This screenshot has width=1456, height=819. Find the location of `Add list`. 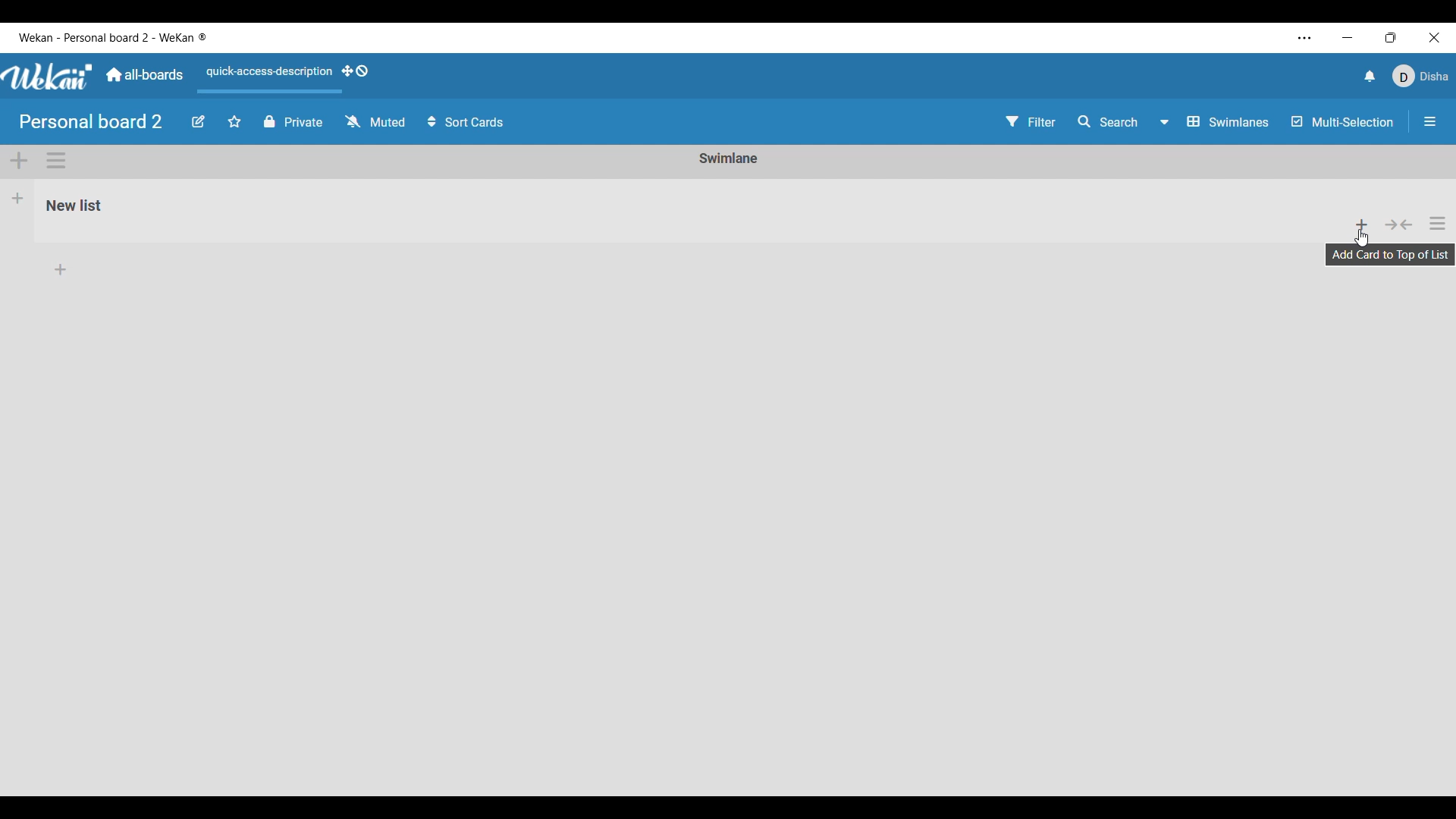

Add list is located at coordinates (18, 198).